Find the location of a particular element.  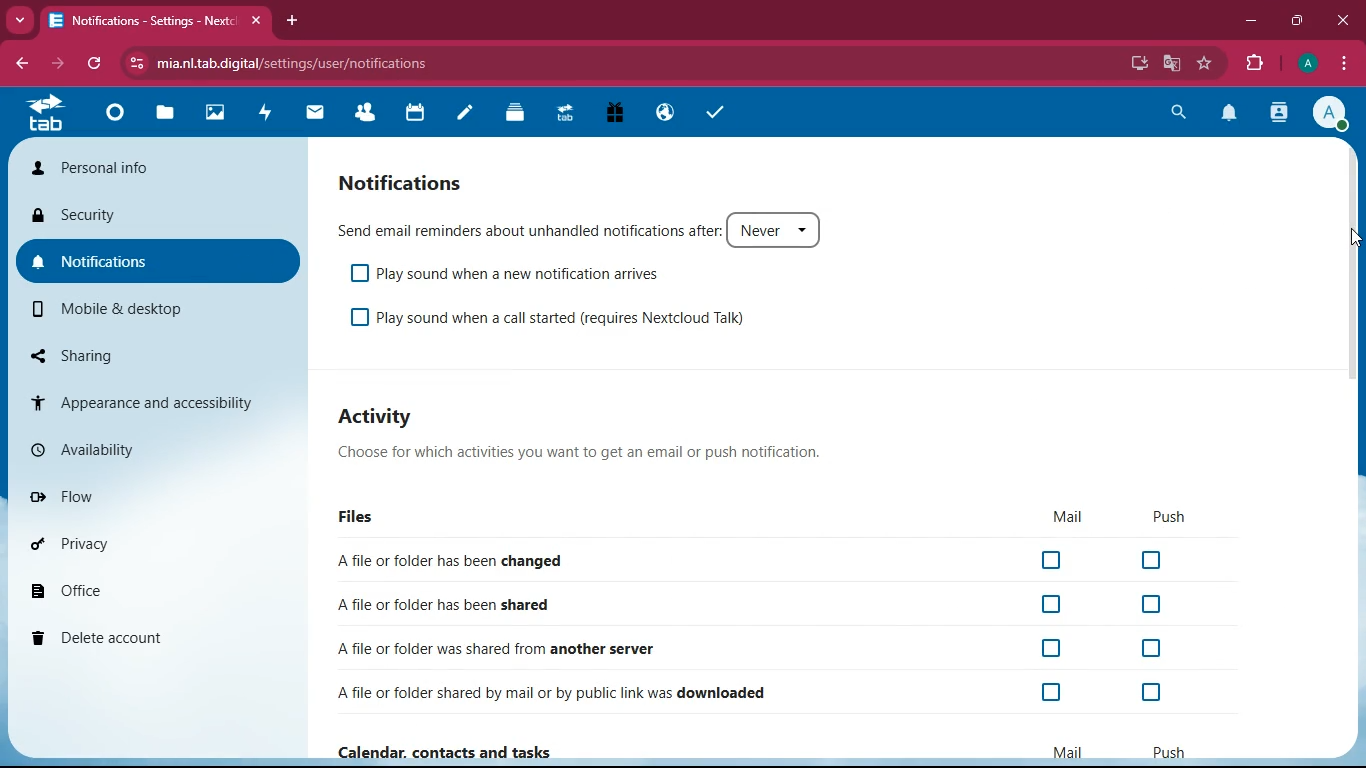

delete account is located at coordinates (151, 637).